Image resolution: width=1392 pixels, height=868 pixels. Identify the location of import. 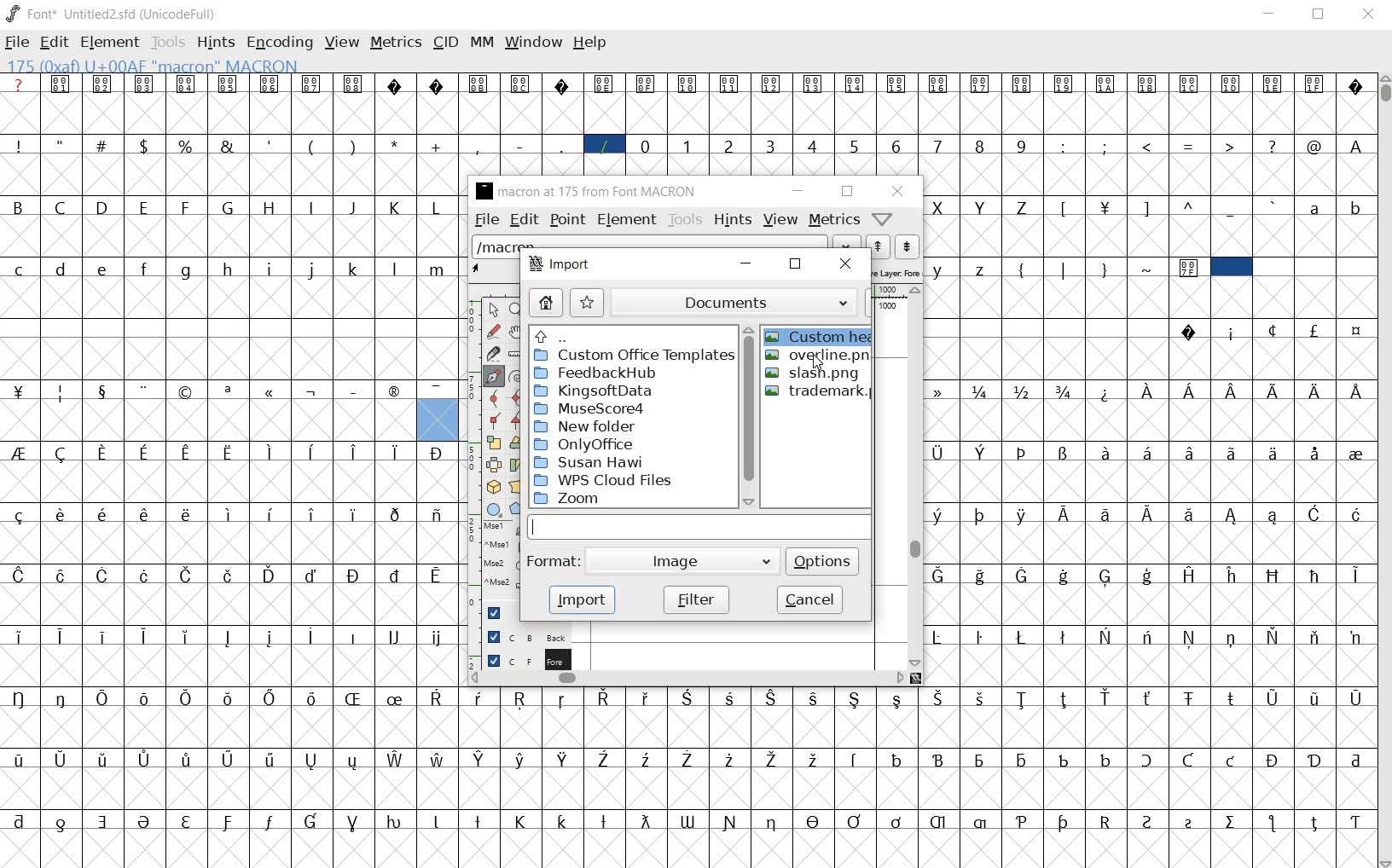
(583, 599).